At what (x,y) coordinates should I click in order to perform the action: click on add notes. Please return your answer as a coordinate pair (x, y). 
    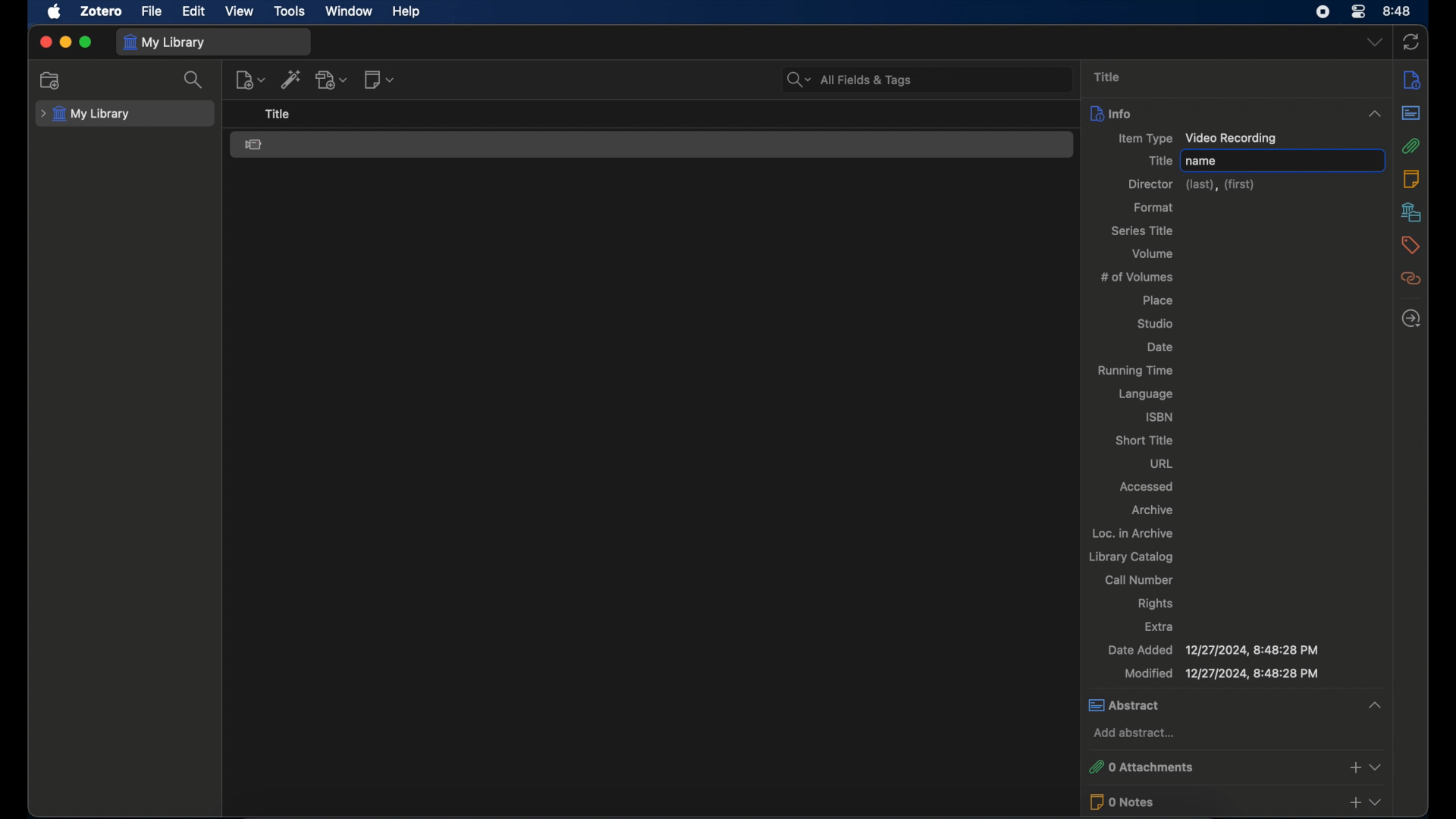
    Looking at the image, I should click on (1354, 804).